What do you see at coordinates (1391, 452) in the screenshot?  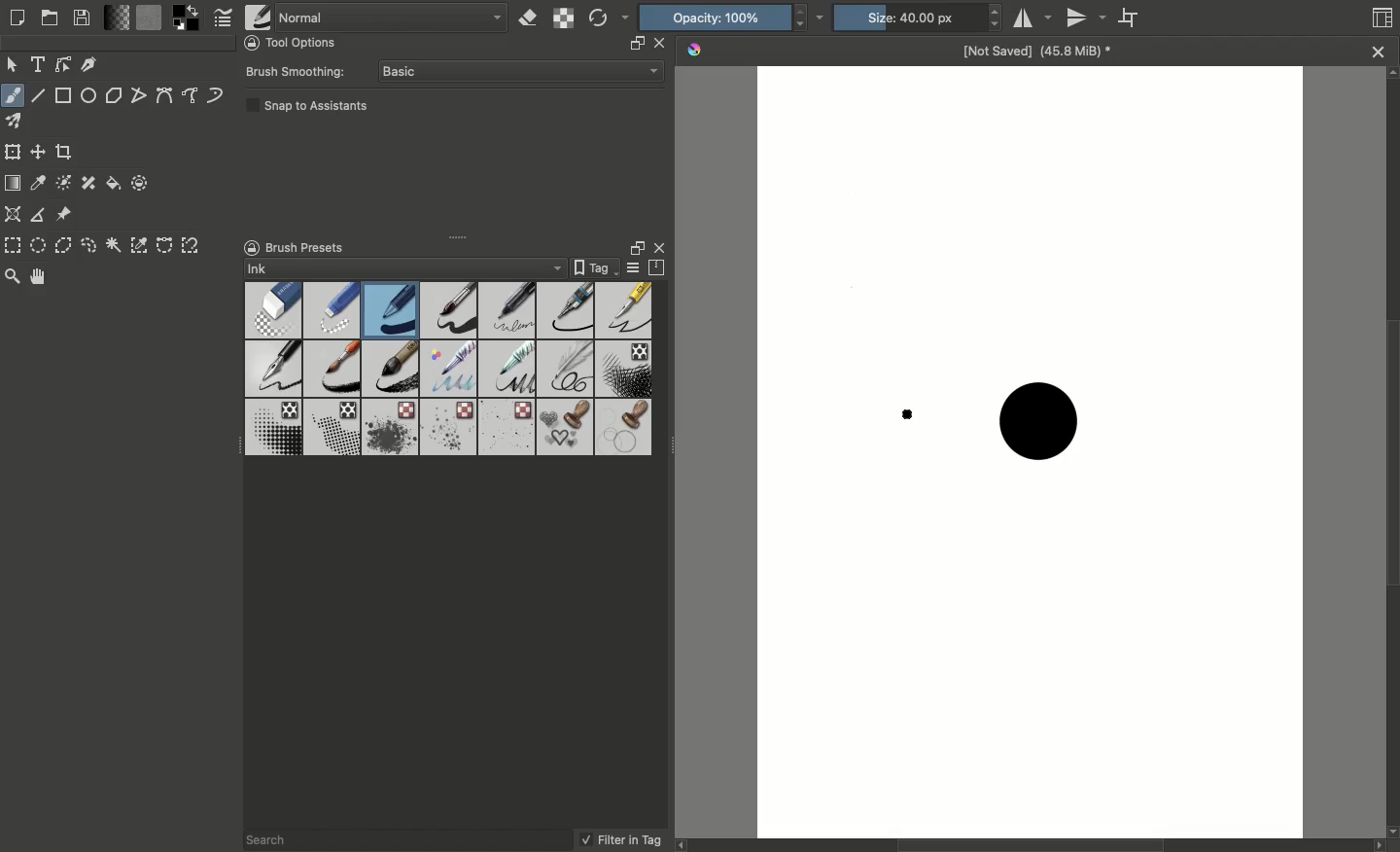 I see `Scroll` at bounding box center [1391, 452].